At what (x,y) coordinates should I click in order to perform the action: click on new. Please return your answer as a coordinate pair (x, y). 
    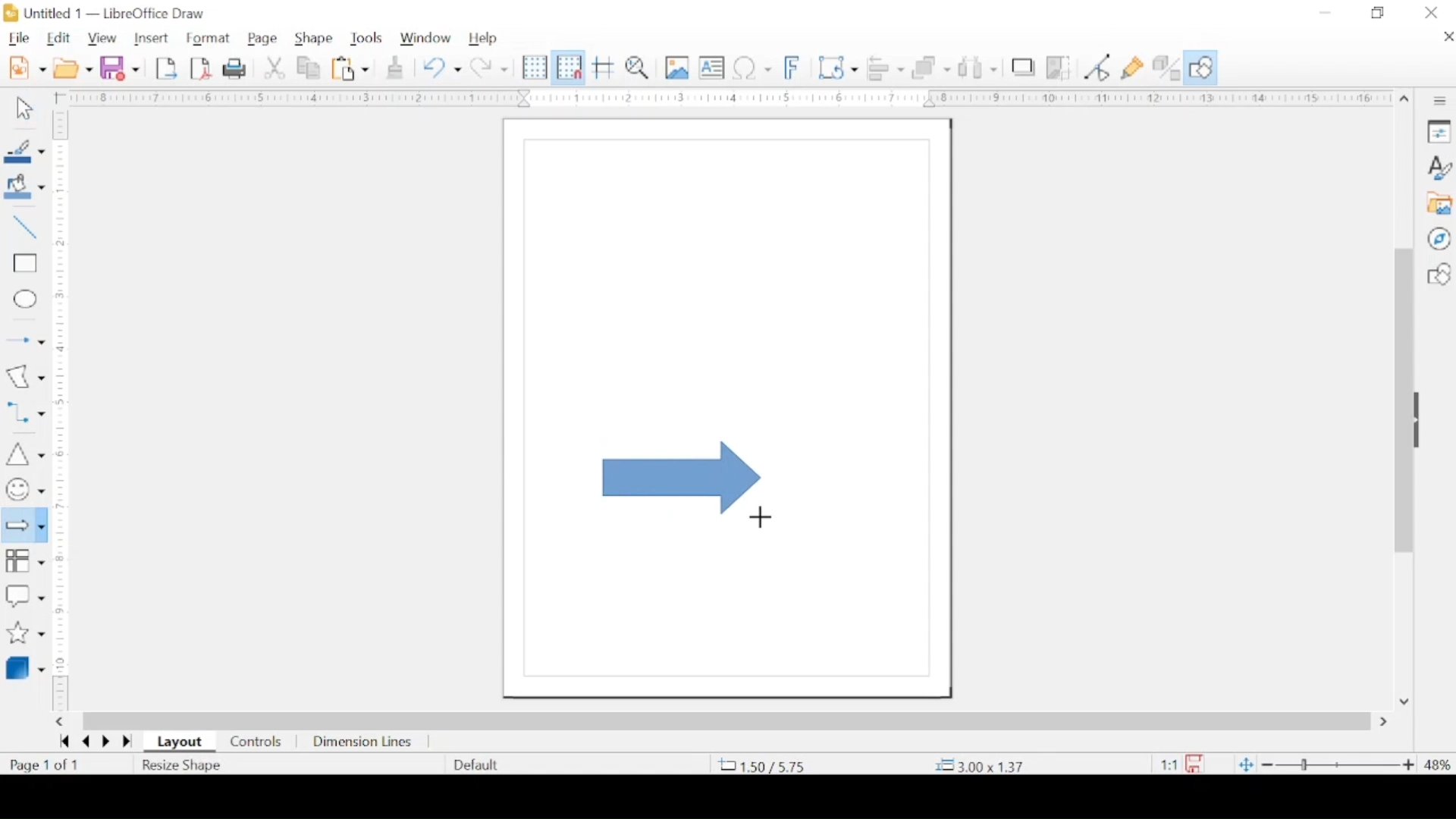
    Looking at the image, I should click on (27, 67).